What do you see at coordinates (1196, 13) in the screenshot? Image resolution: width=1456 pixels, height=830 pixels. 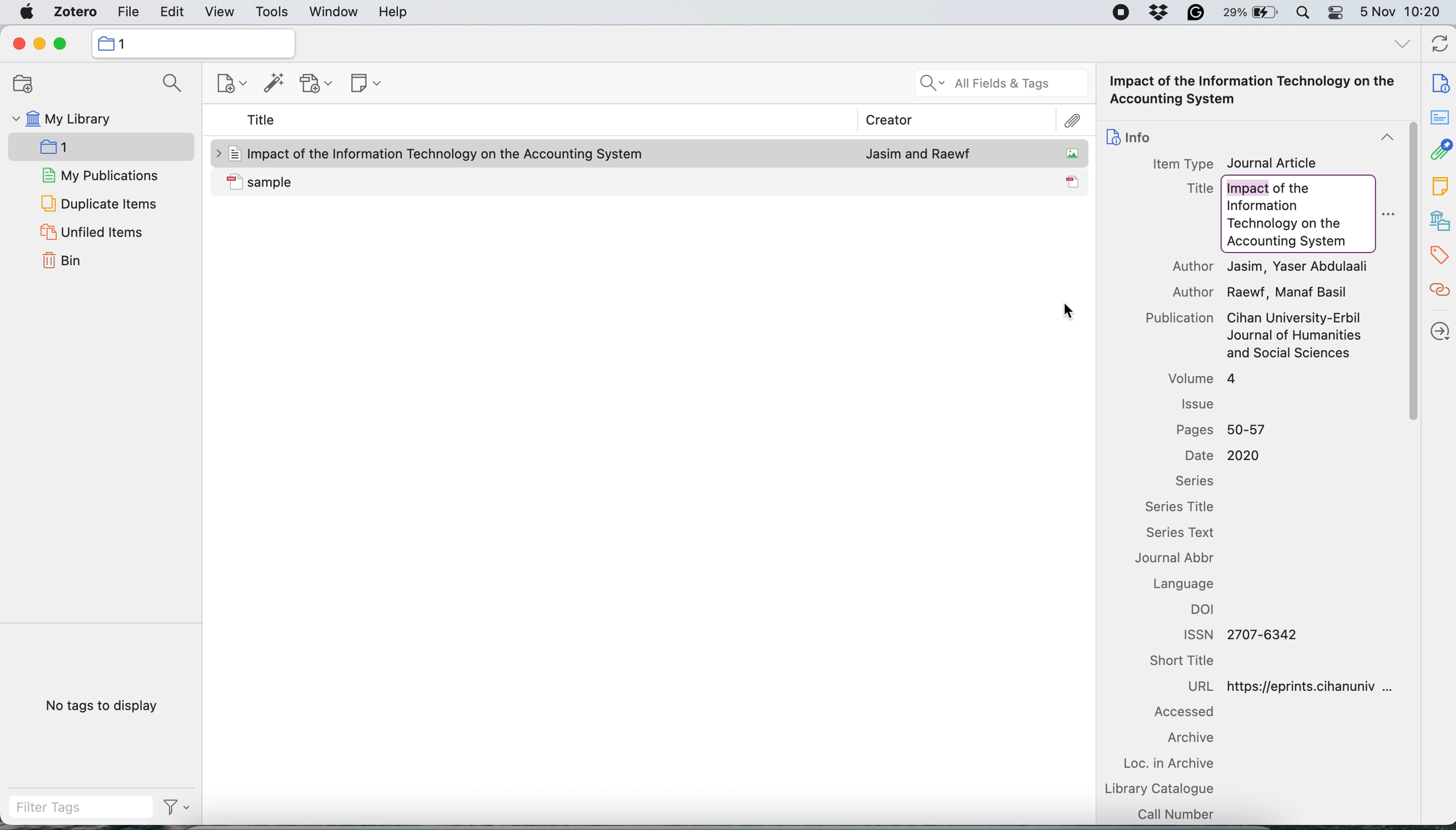 I see `grammarly` at bounding box center [1196, 13].